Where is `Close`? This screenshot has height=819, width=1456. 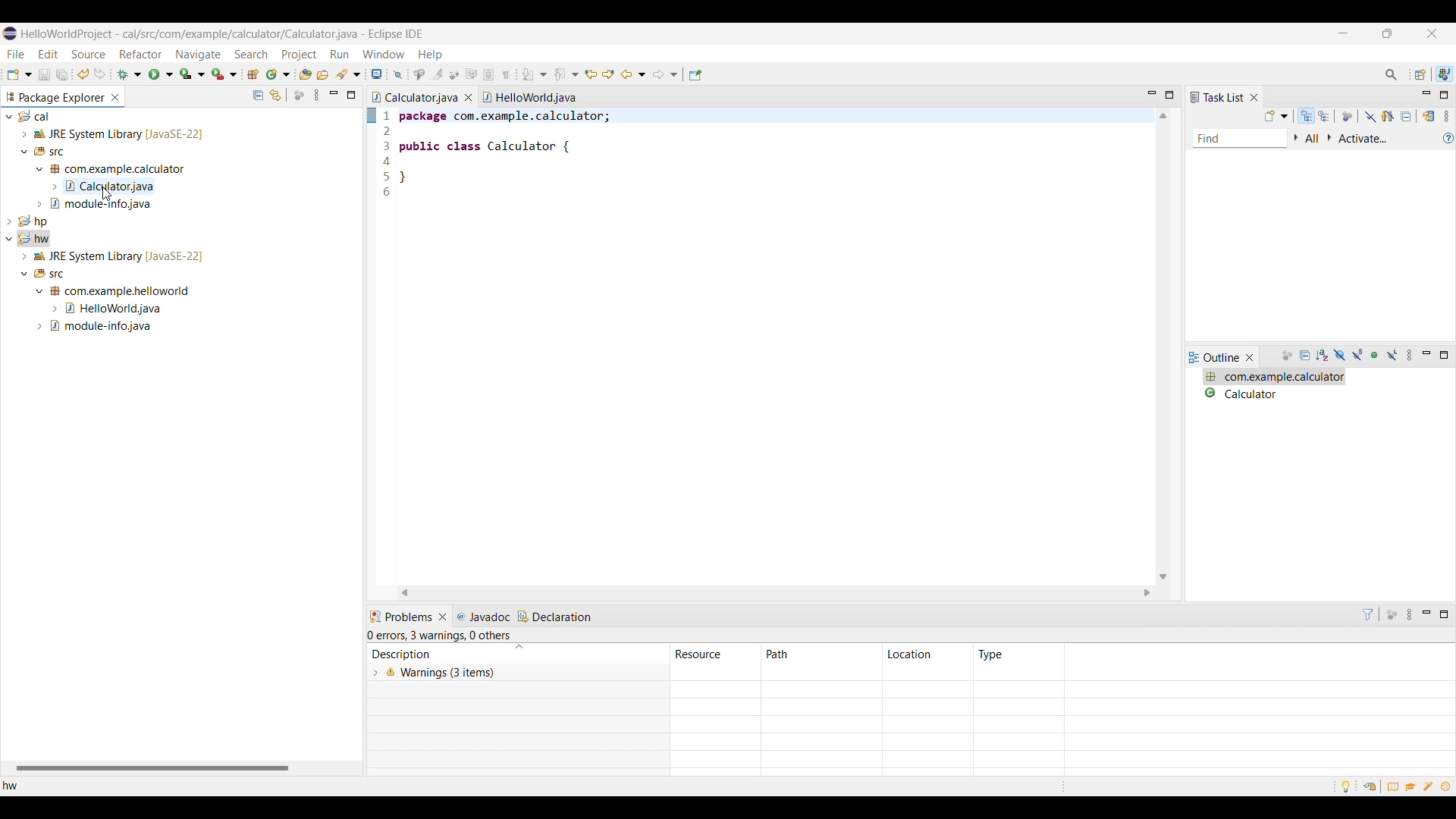 Close is located at coordinates (443, 617).